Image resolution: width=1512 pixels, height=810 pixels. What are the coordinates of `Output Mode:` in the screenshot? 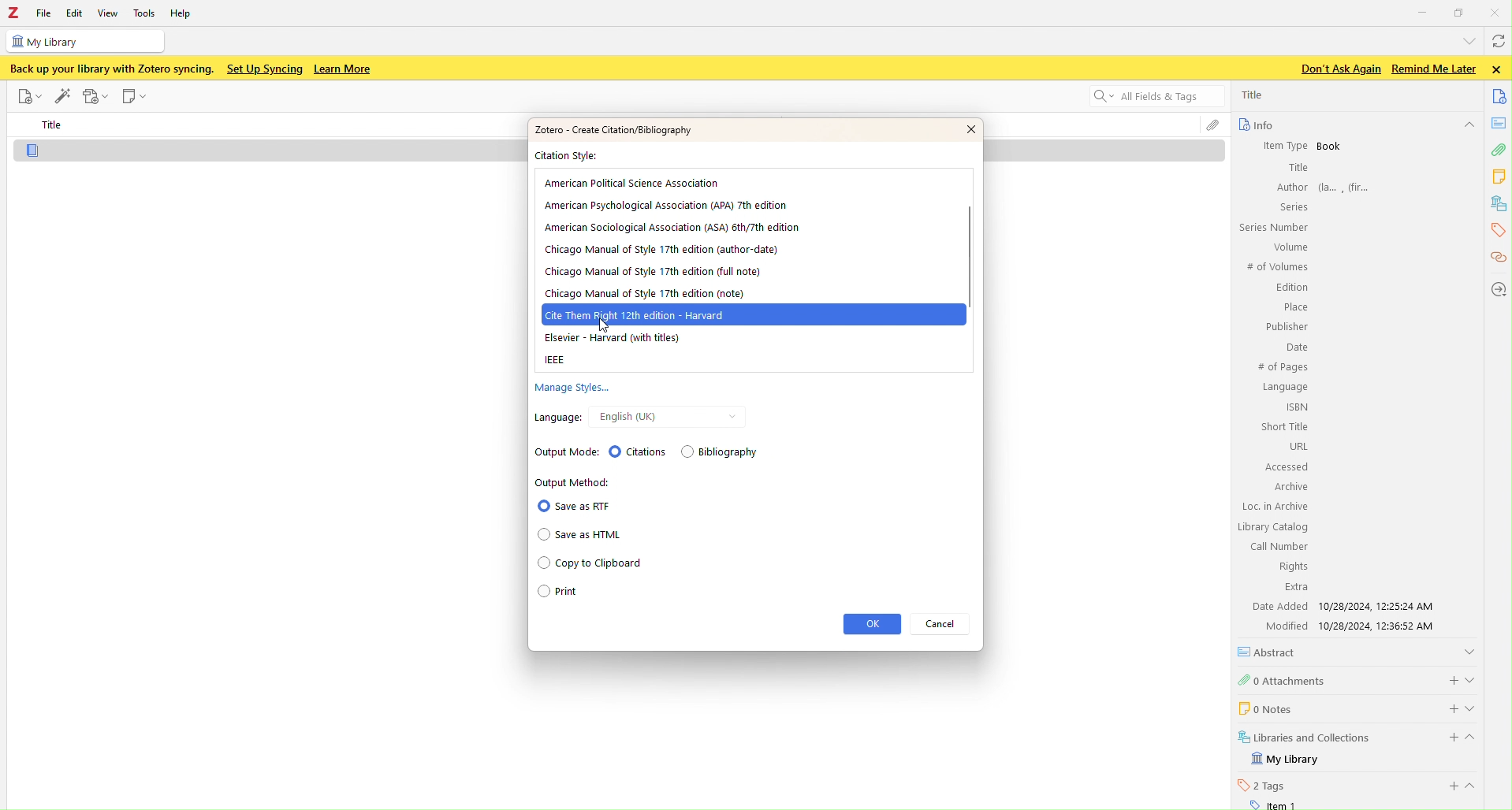 It's located at (560, 451).